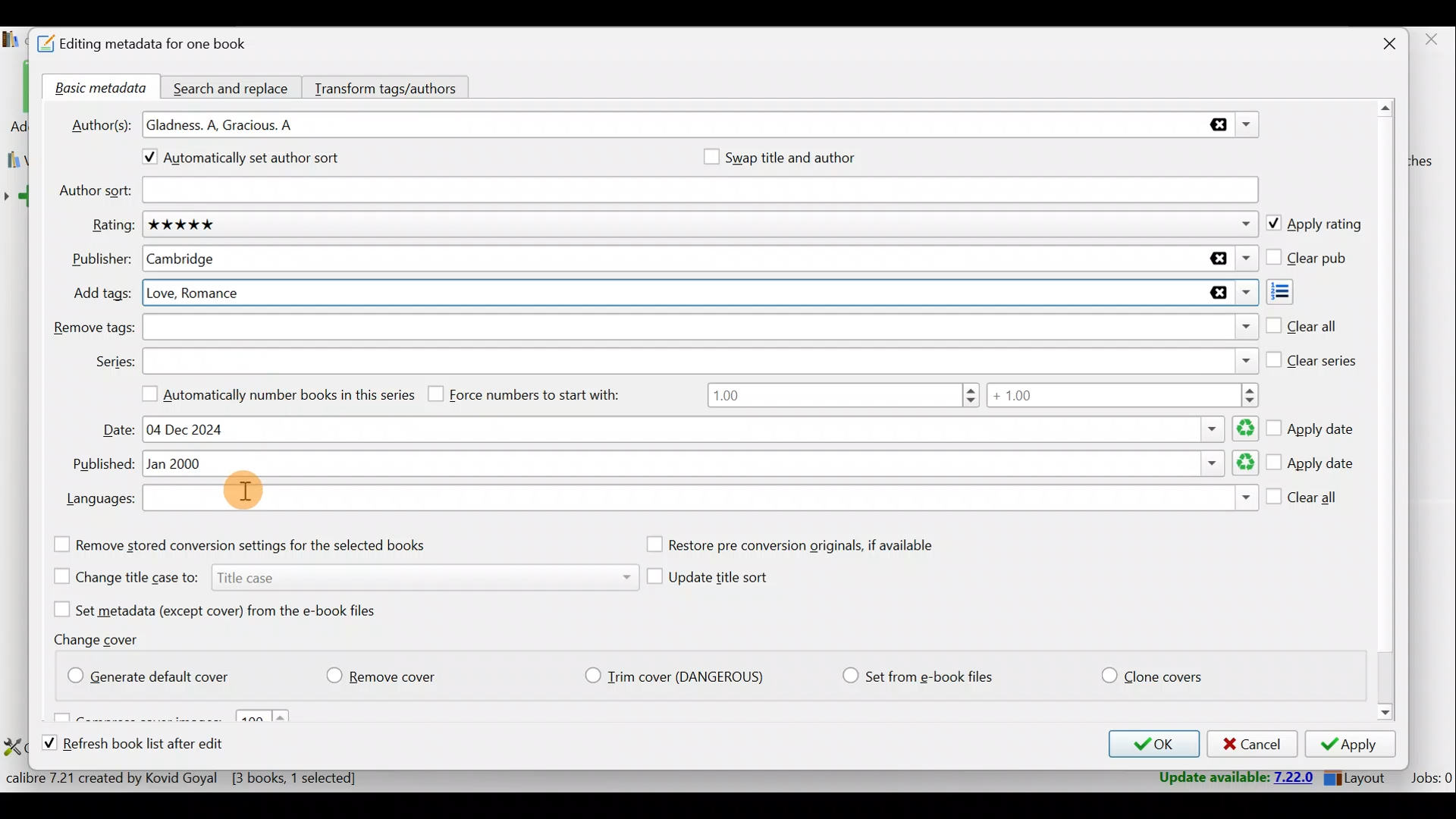  Describe the element at coordinates (679, 678) in the screenshot. I see `Trim cover (Dangerious)` at that location.